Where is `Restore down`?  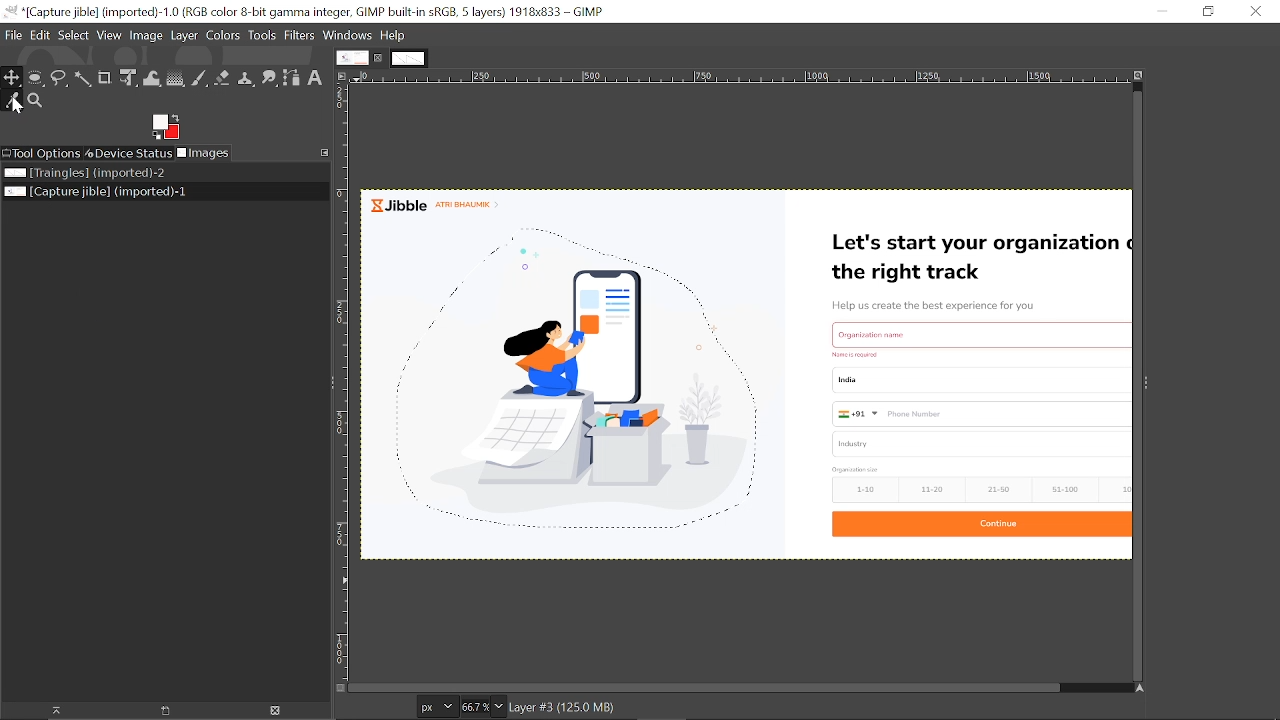 Restore down is located at coordinates (1210, 12).